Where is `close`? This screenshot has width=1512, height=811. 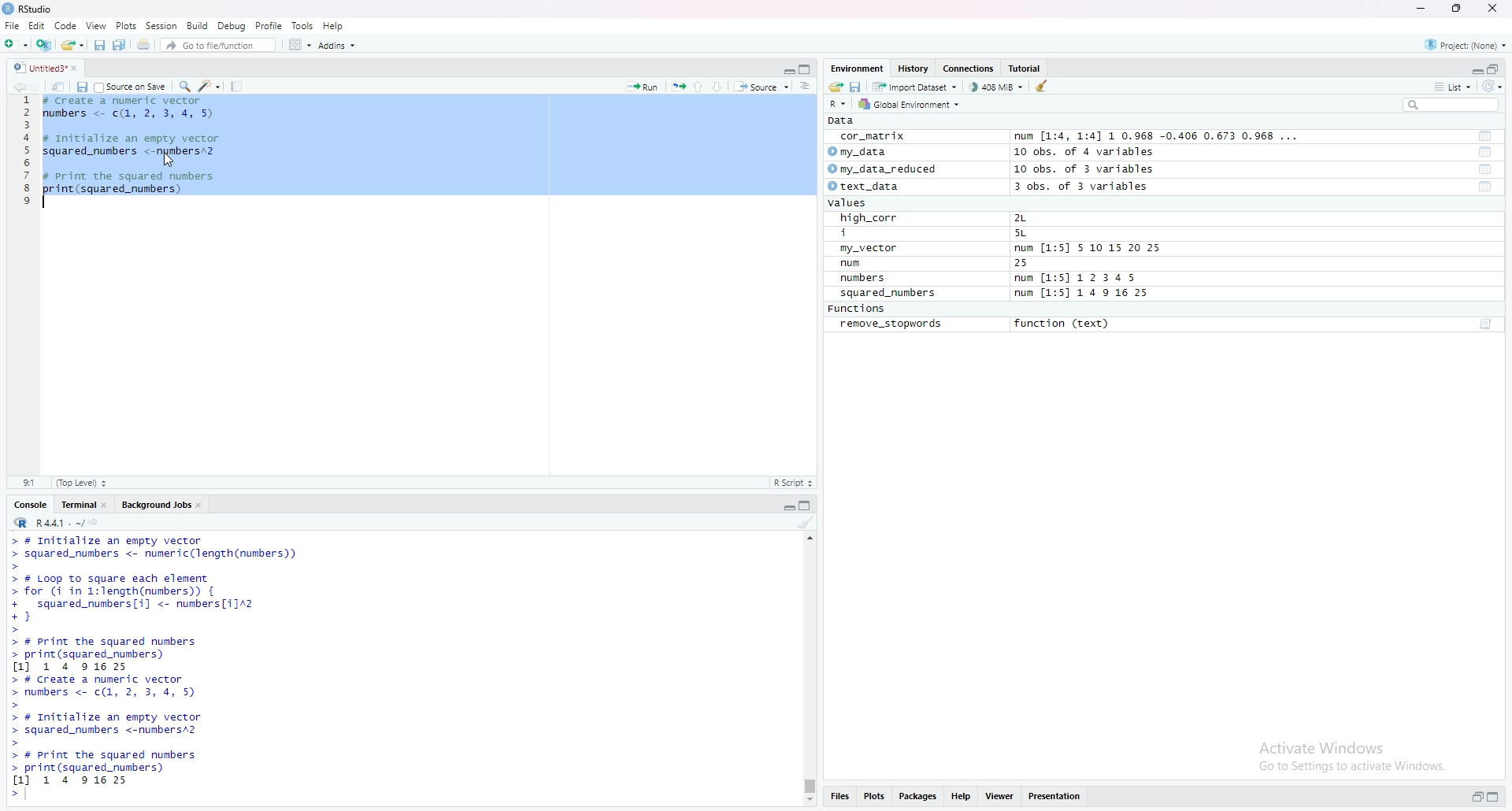
close is located at coordinates (80, 67).